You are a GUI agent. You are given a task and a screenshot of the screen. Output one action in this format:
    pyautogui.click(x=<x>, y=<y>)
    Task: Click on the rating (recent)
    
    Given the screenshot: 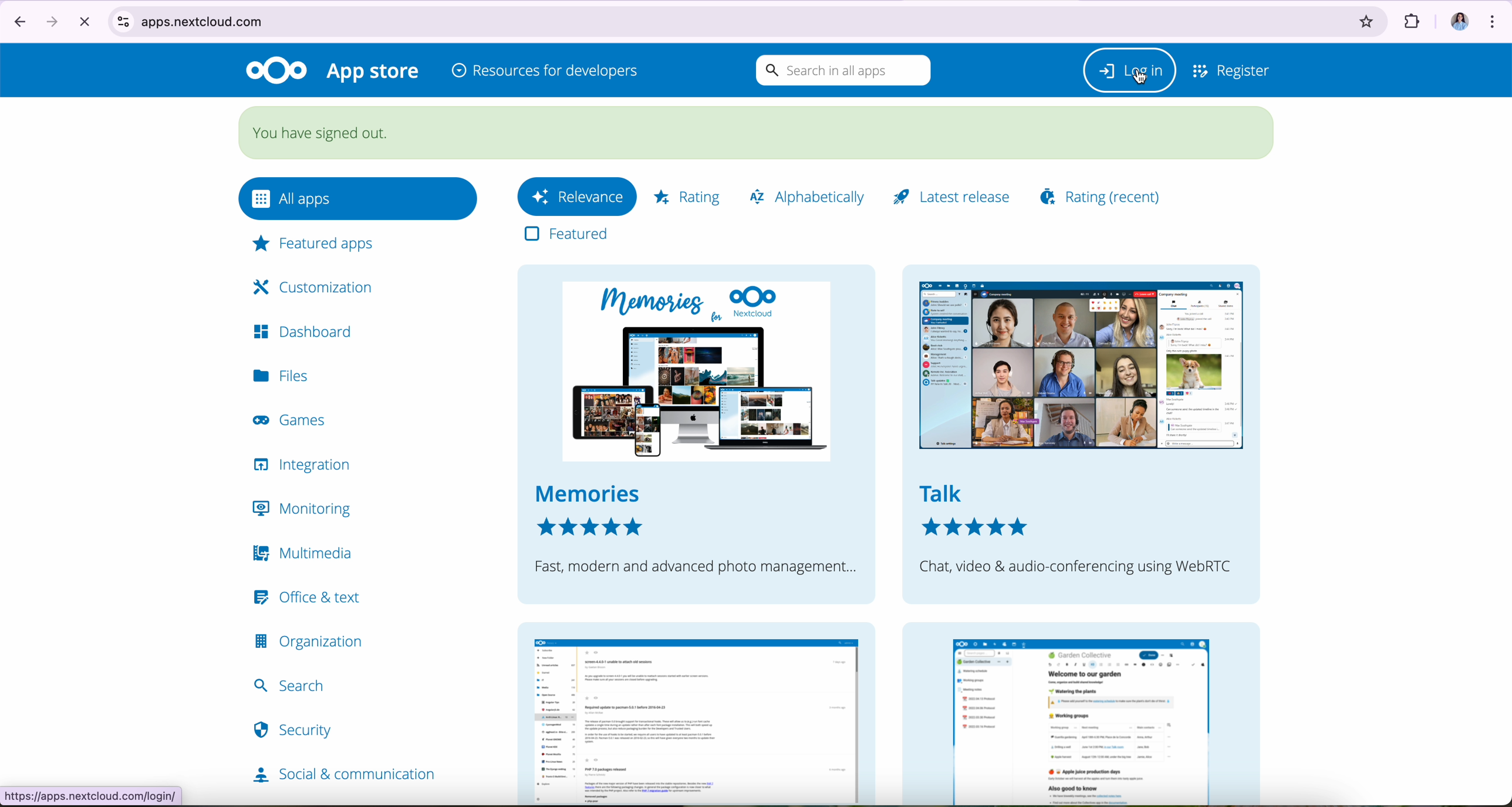 What is the action you would take?
    pyautogui.click(x=1103, y=194)
    